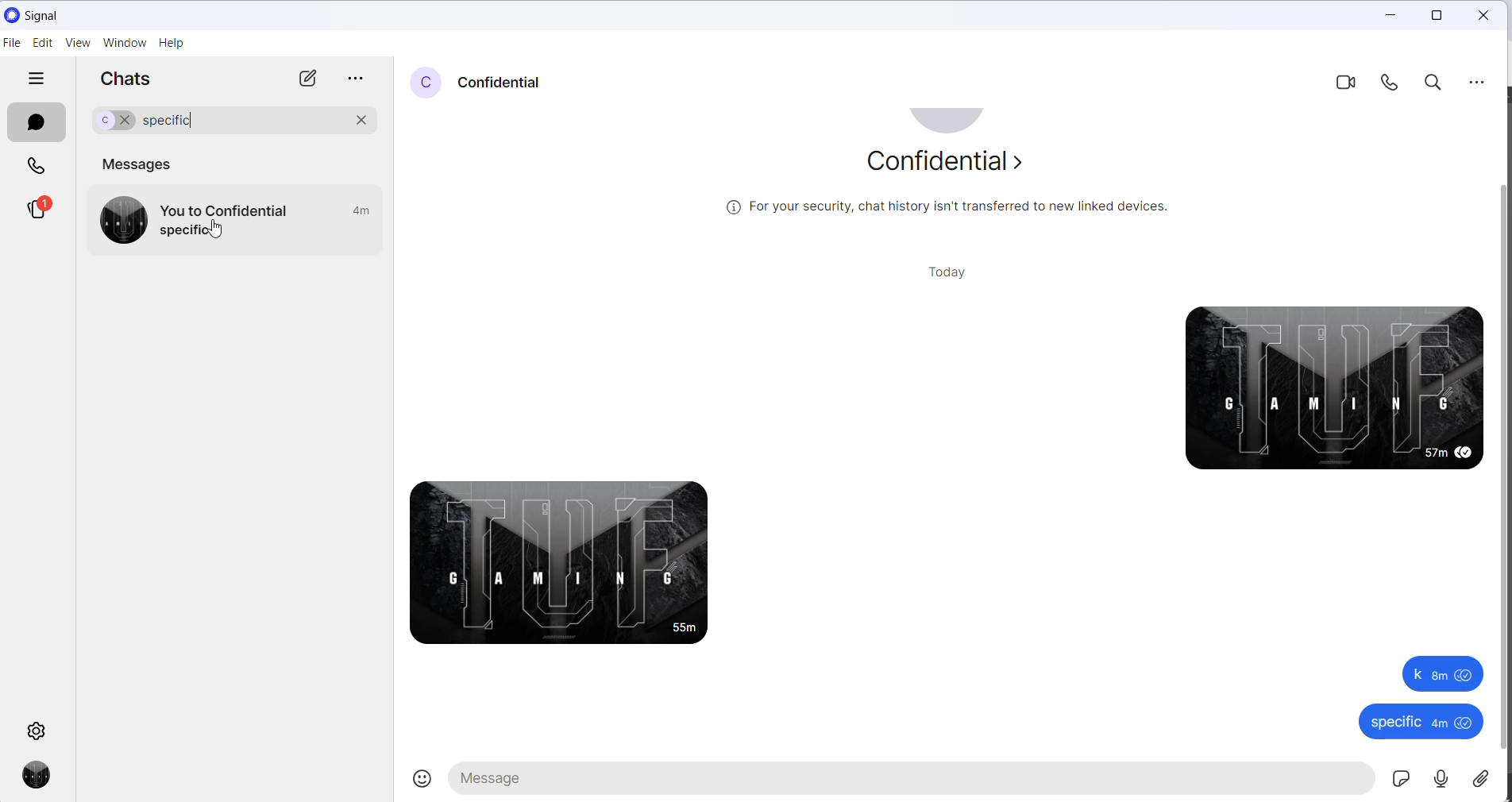  What do you see at coordinates (501, 83) in the screenshot?
I see `contact name` at bounding box center [501, 83].